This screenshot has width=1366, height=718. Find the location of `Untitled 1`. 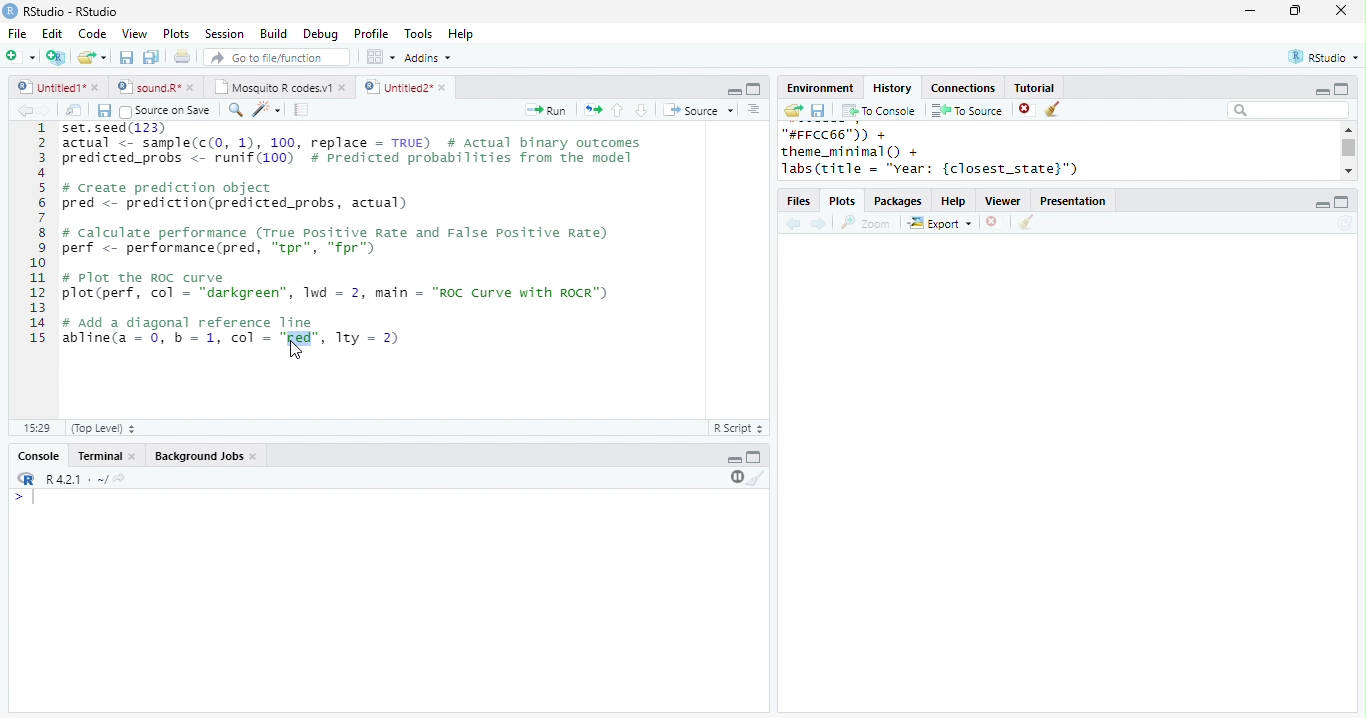

Untitled 1 is located at coordinates (48, 86).